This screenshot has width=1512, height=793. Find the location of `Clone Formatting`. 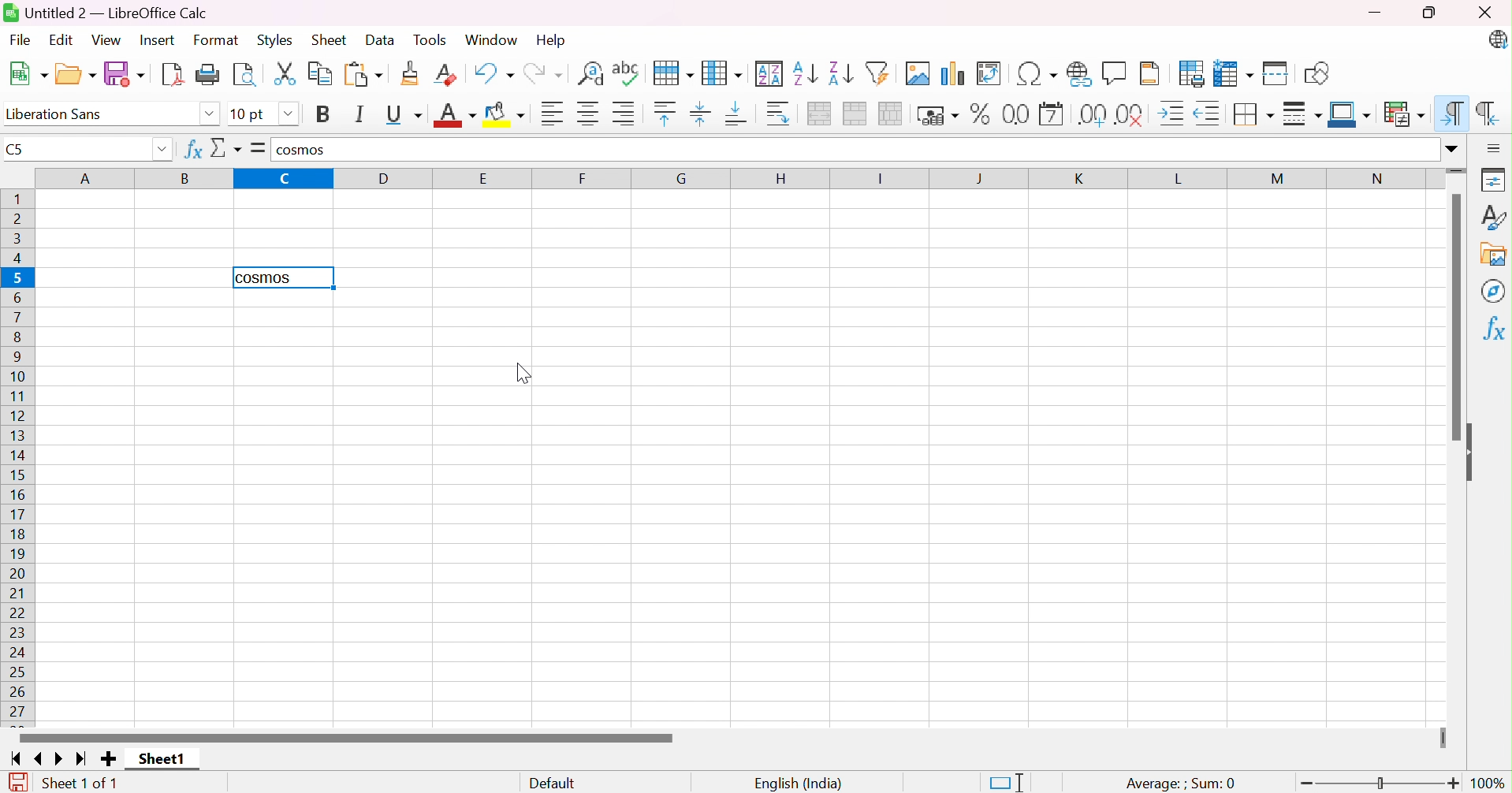

Clone Formatting is located at coordinates (412, 76).